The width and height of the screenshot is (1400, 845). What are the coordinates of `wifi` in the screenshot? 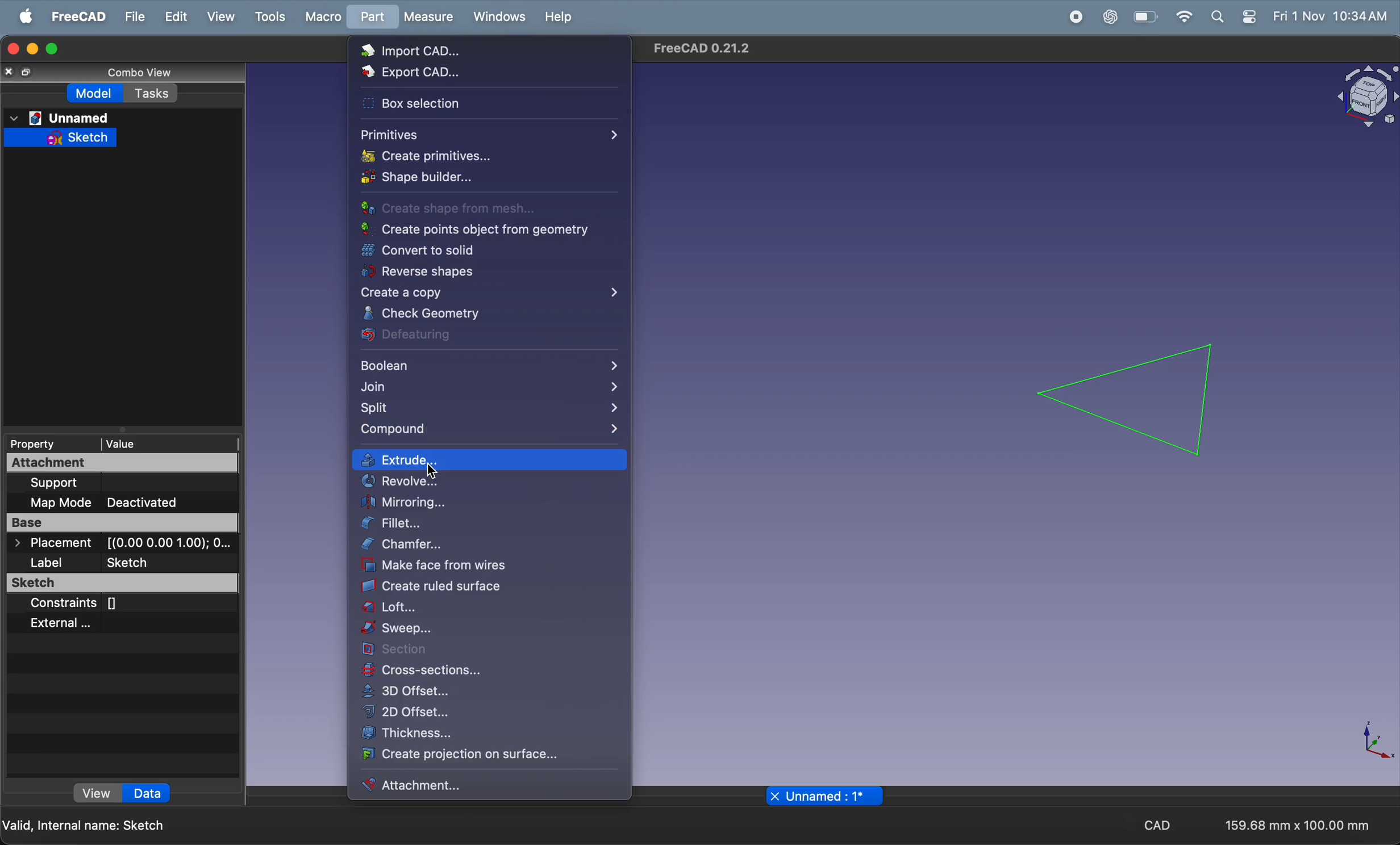 It's located at (1184, 16).